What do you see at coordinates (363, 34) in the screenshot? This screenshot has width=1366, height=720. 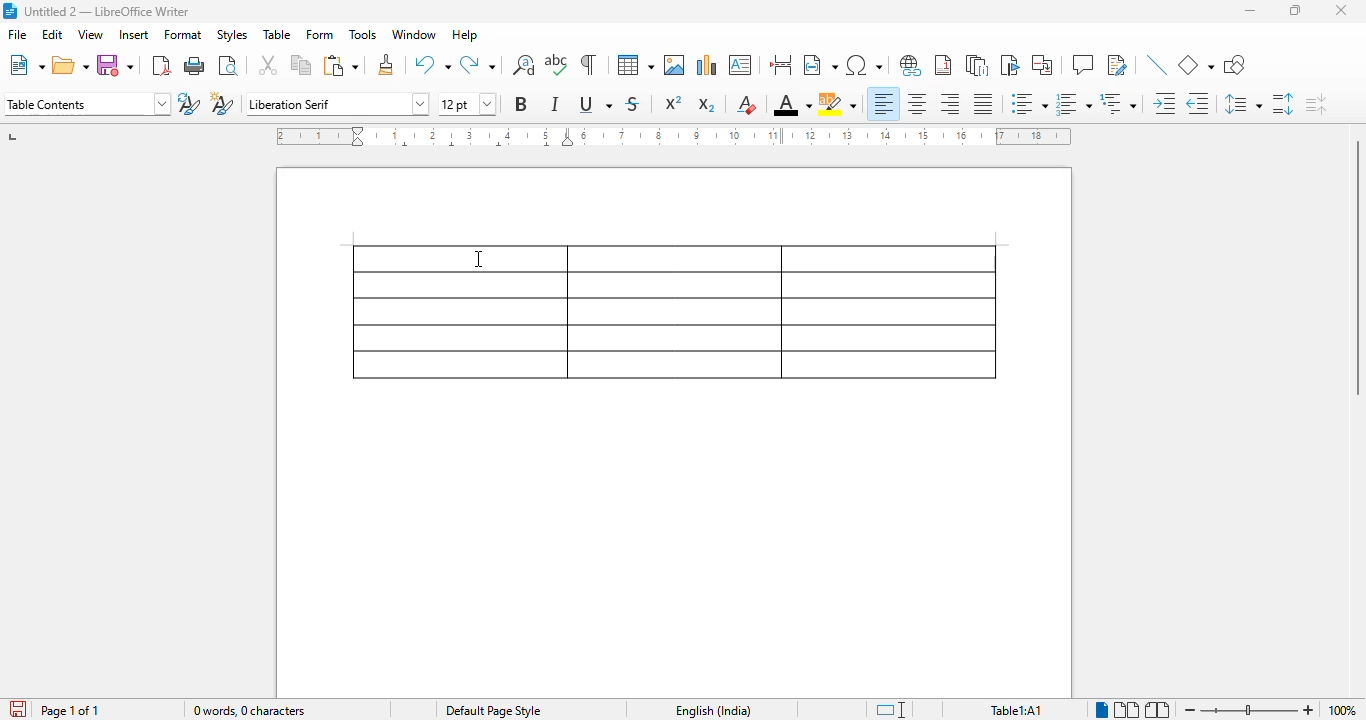 I see `tools` at bounding box center [363, 34].